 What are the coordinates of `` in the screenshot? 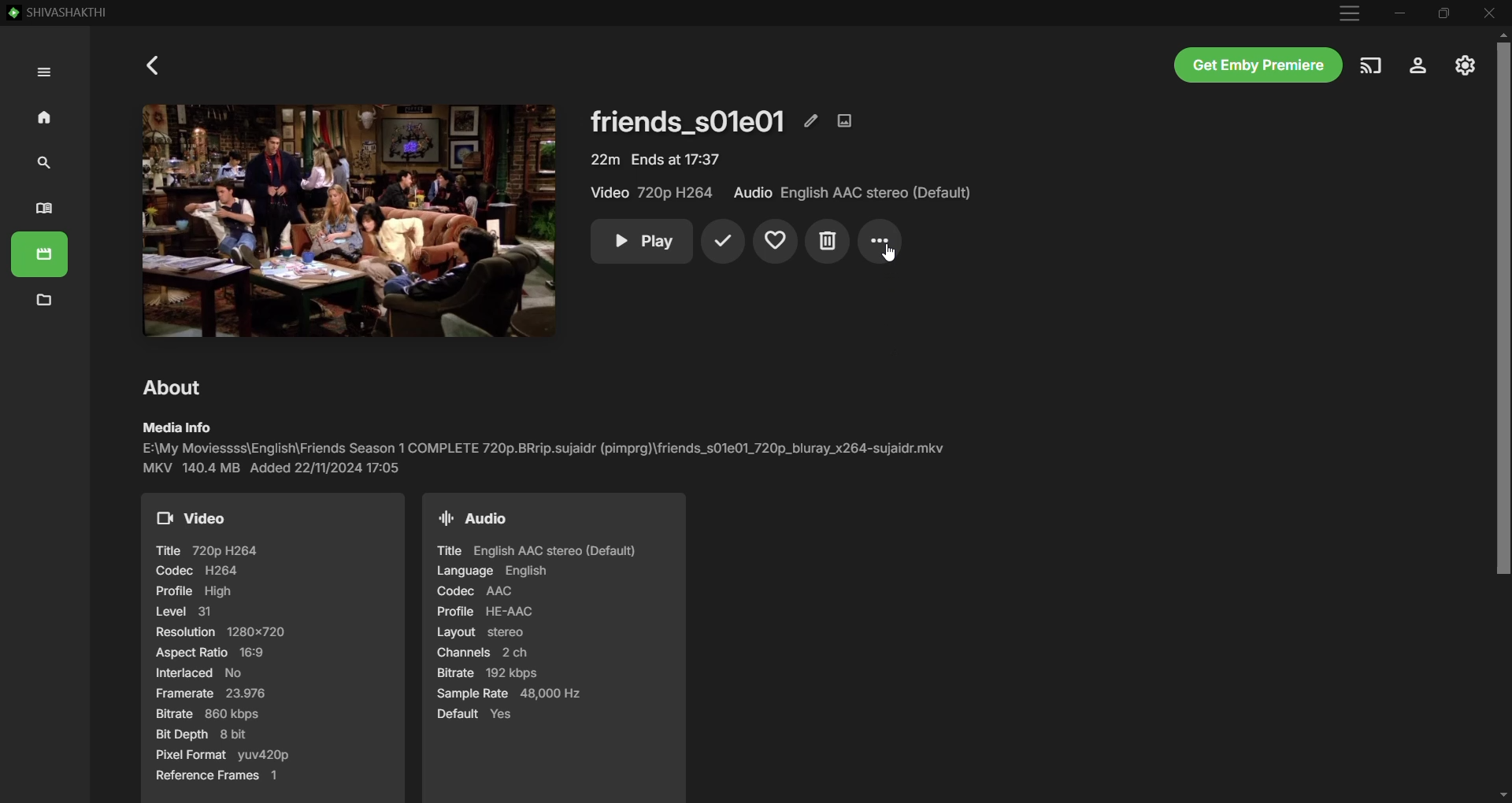 It's located at (157, 66).